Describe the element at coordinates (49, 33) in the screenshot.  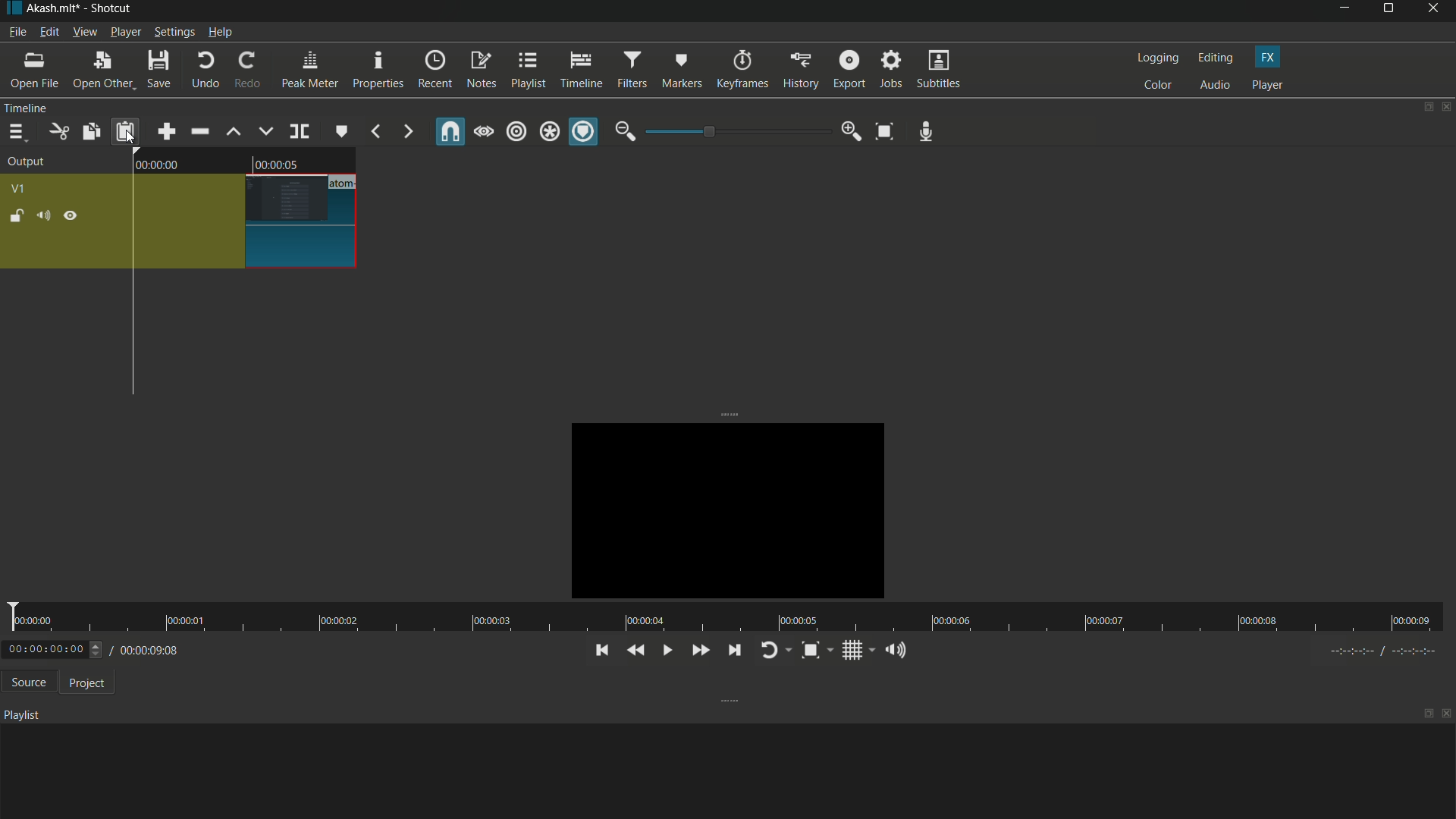
I see `edit menu` at that location.